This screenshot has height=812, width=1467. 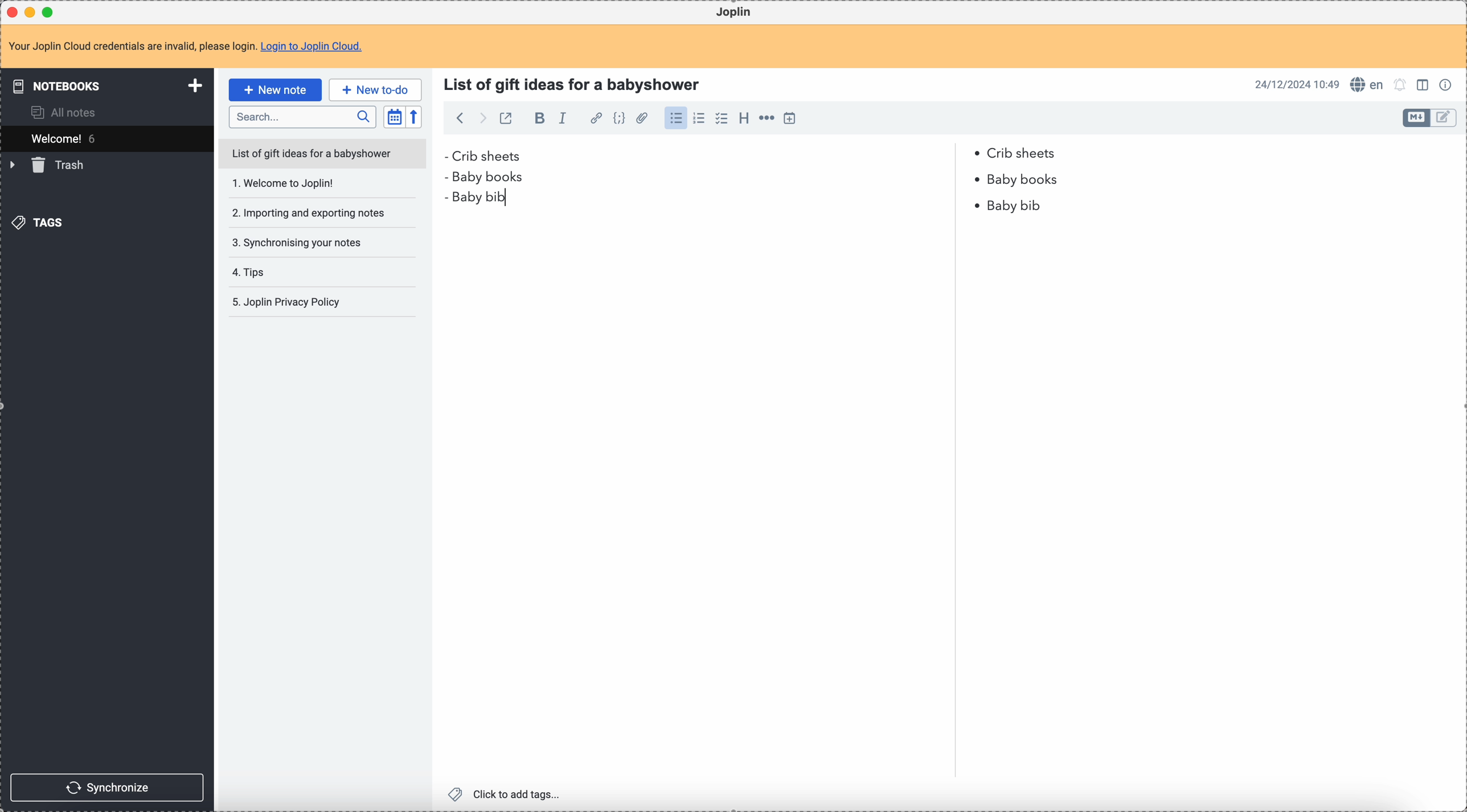 What do you see at coordinates (461, 118) in the screenshot?
I see `back` at bounding box center [461, 118].